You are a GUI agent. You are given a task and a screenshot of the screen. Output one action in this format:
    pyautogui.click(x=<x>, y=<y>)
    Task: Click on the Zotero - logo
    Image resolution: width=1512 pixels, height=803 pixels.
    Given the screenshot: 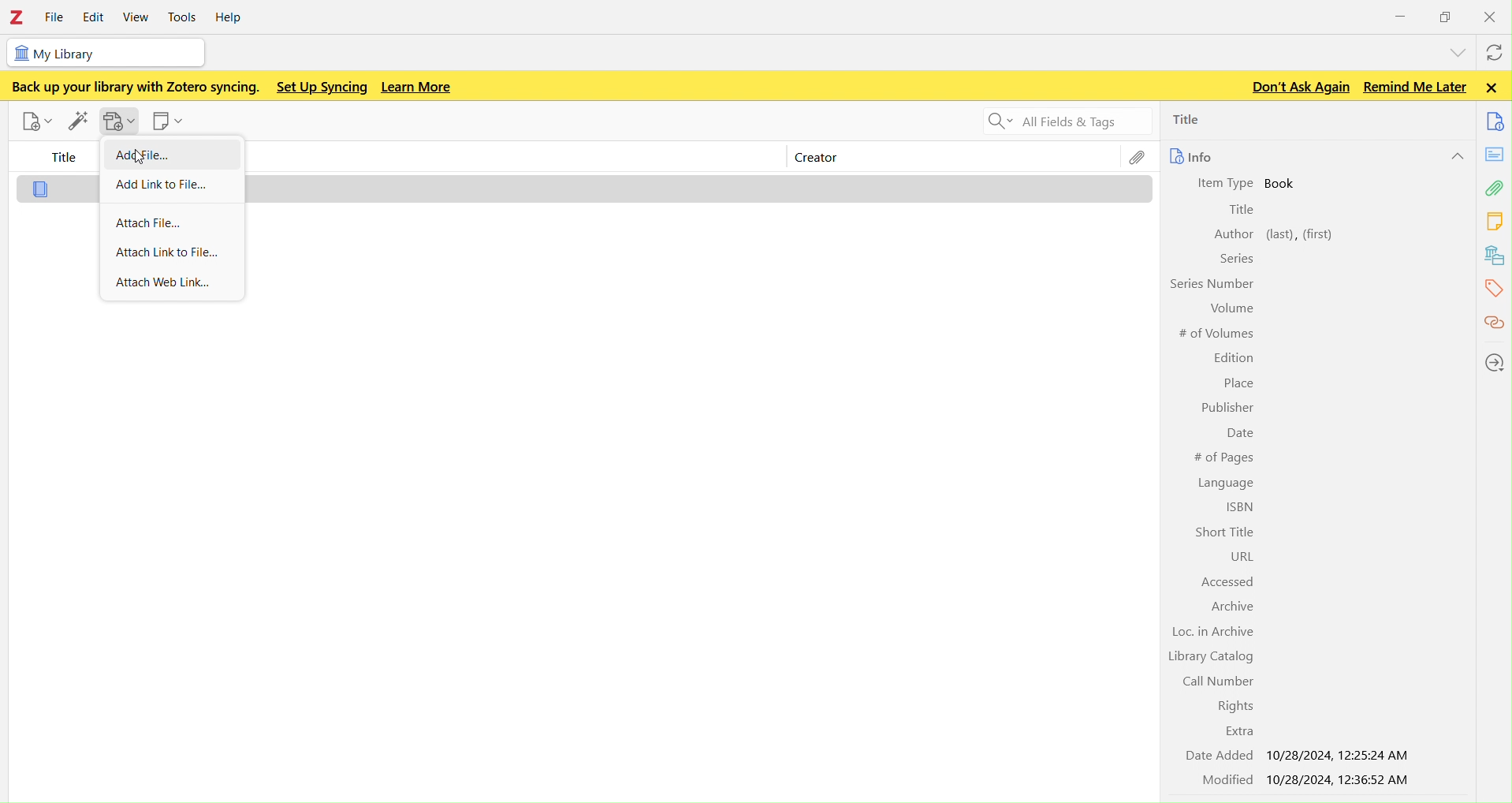 What is the action you would take?
    pyautogui.click(x=18, y=17)
    